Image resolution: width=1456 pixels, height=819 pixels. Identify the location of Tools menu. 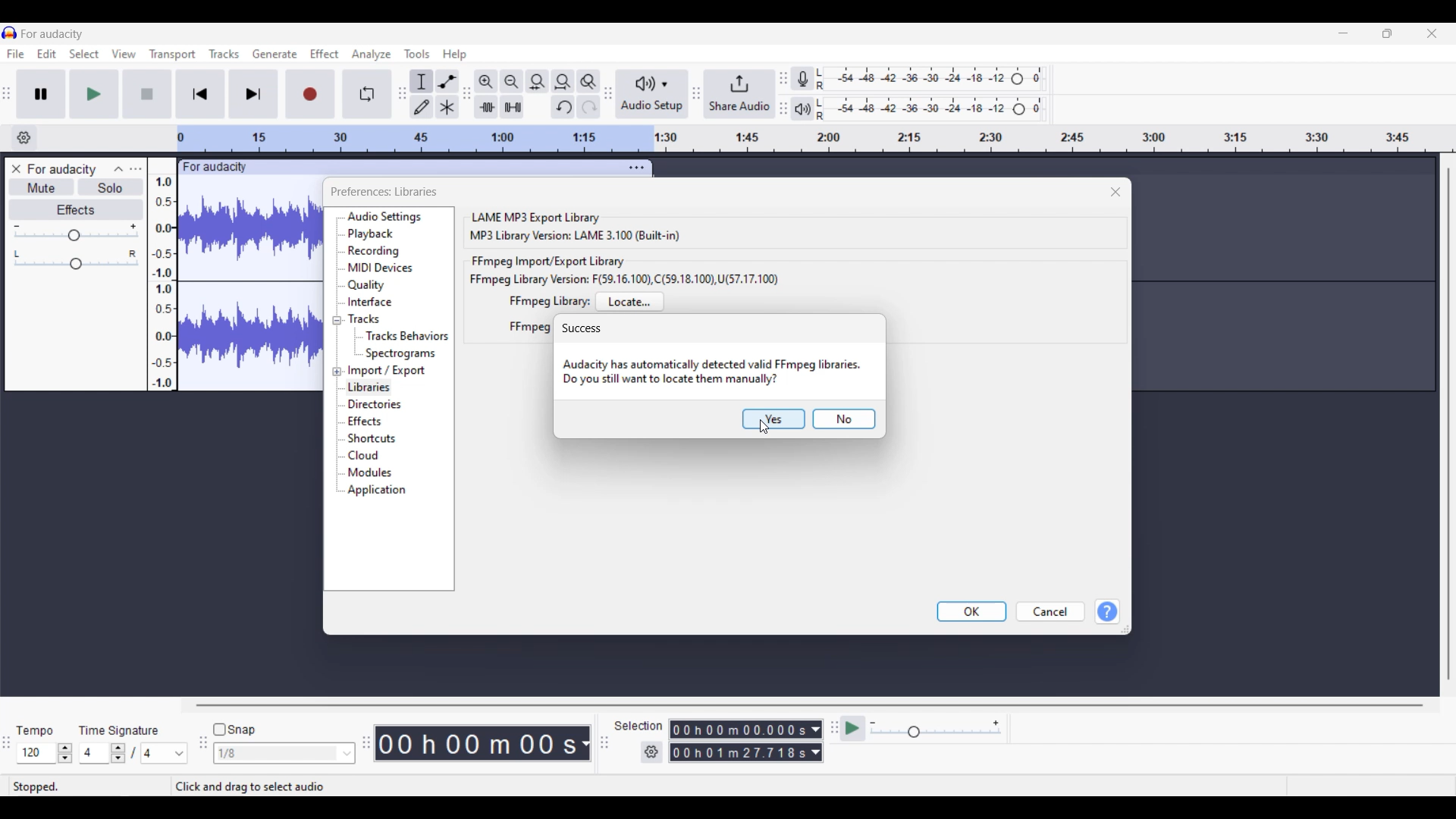
(418, 54).